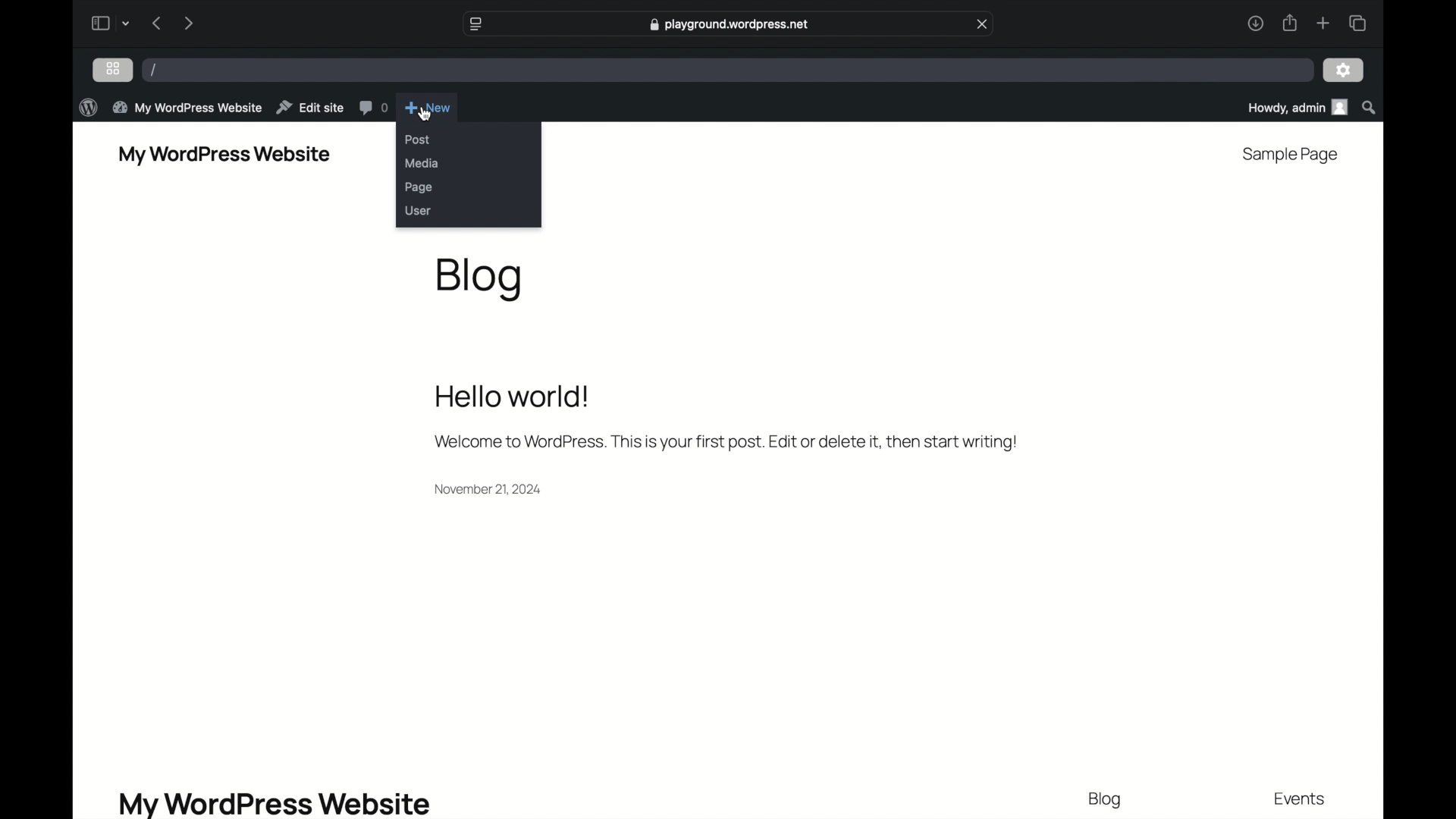 Image resolution: width=1456 pixels, height=819 pixels. What do you see at coordinates (1345, 69) in the screenshot?
I see `settings` at bounding box center [1345, 69].